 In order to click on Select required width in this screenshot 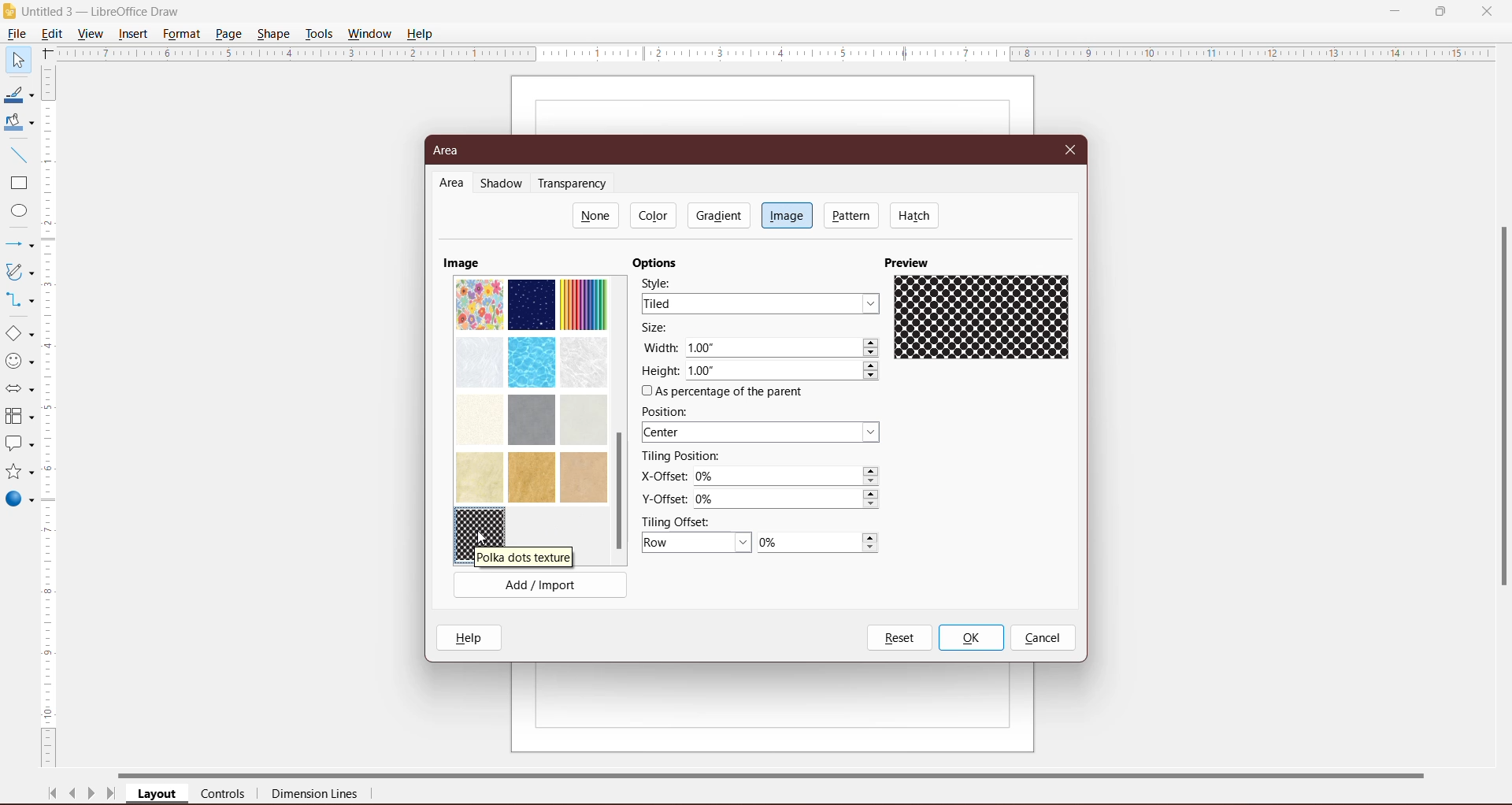, I will do `click(783, 348)`.